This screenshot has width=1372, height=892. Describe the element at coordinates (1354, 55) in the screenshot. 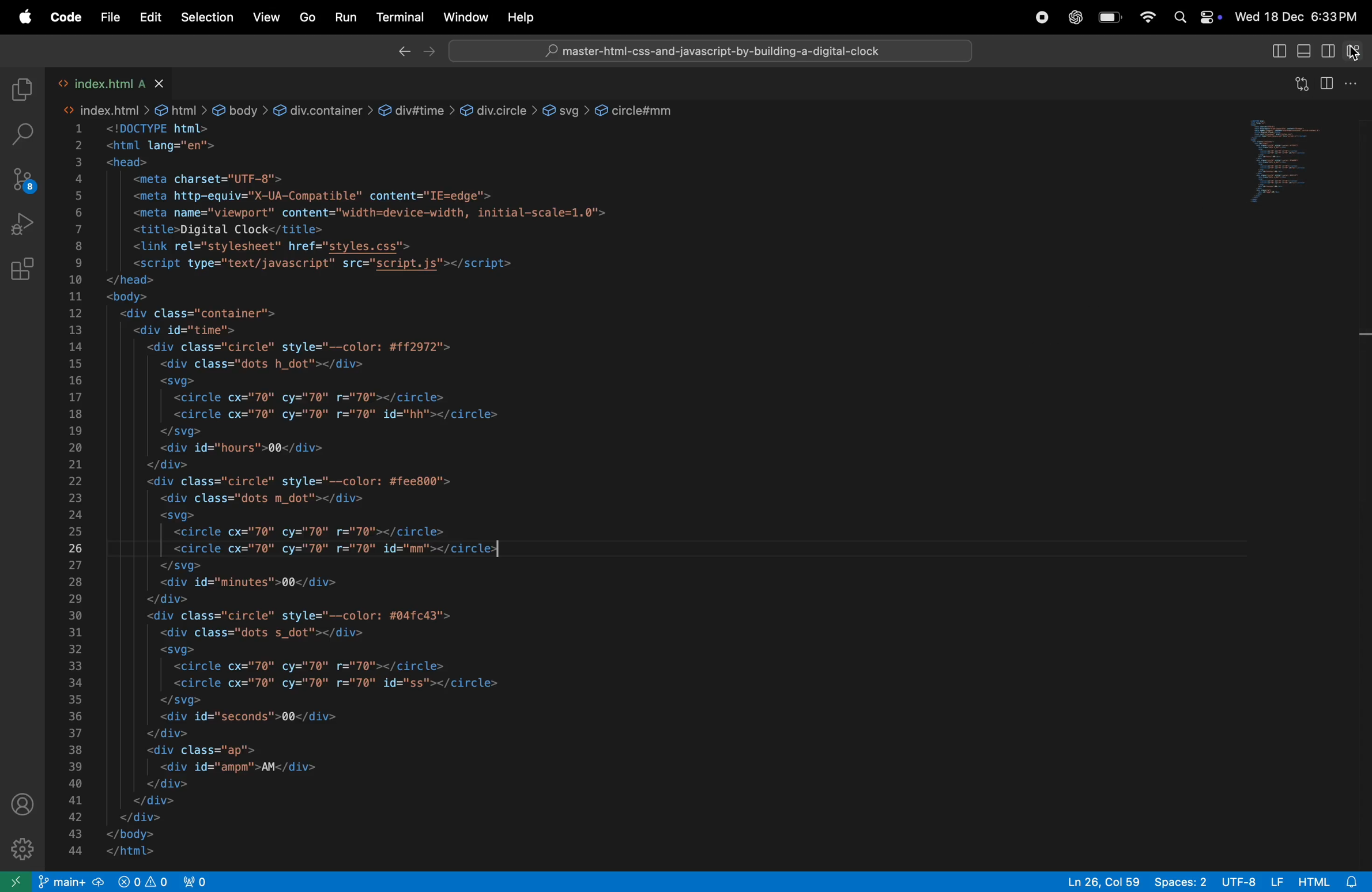

I see `cursor` at that location.